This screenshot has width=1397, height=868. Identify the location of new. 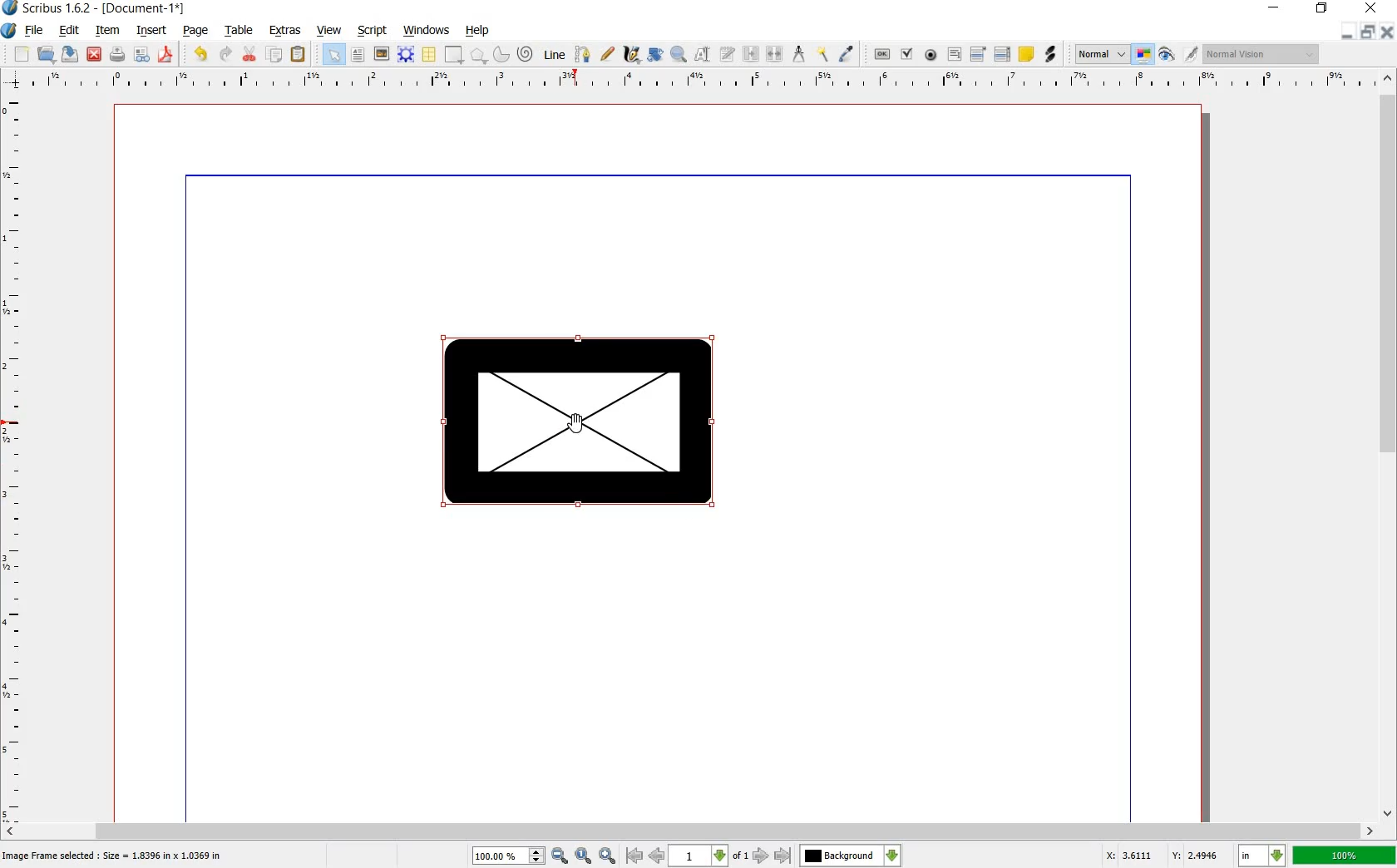
(21, 54).